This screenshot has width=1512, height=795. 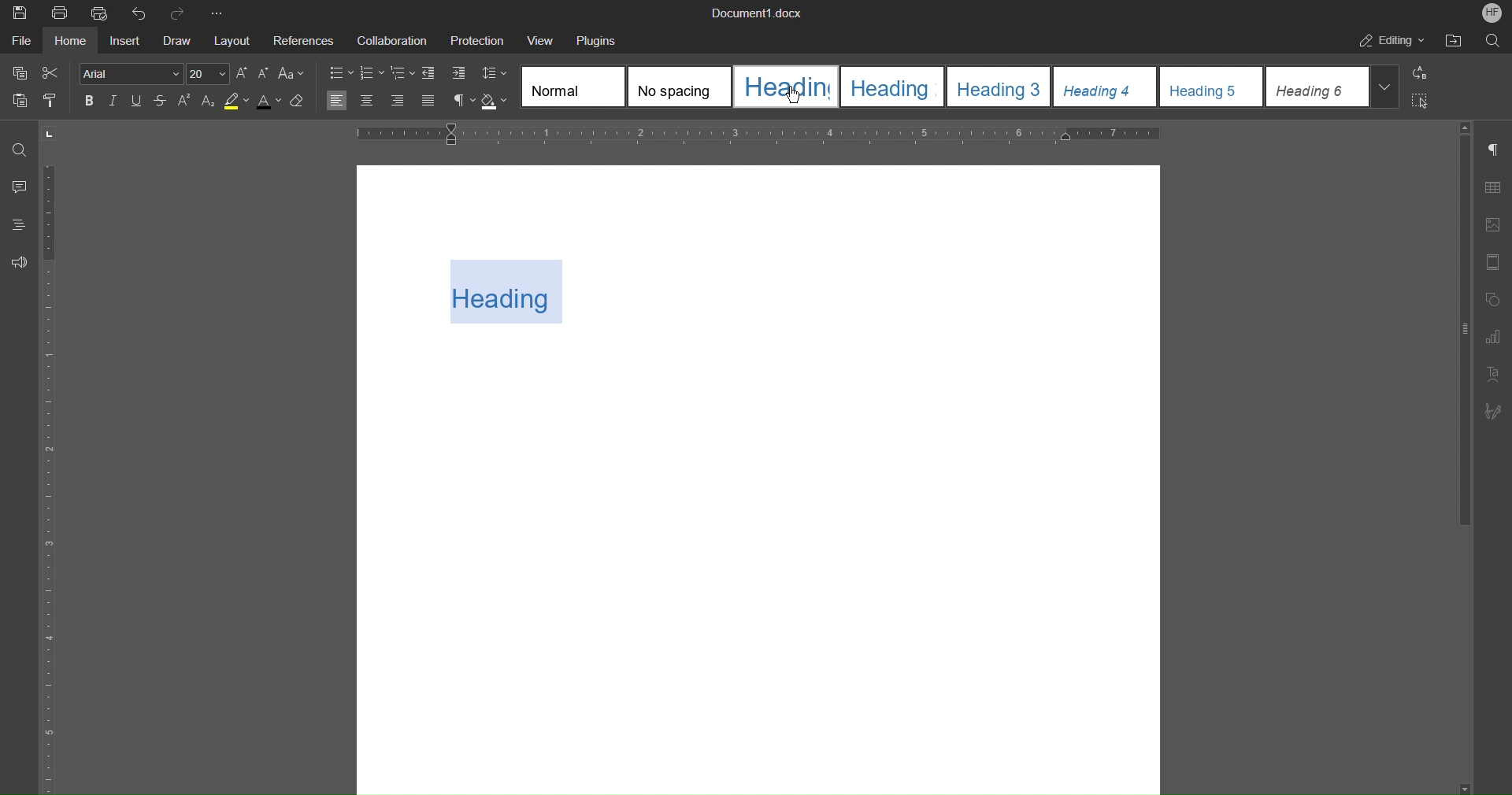 I want to click on Decrease Indent, so click(x=431, y=73).